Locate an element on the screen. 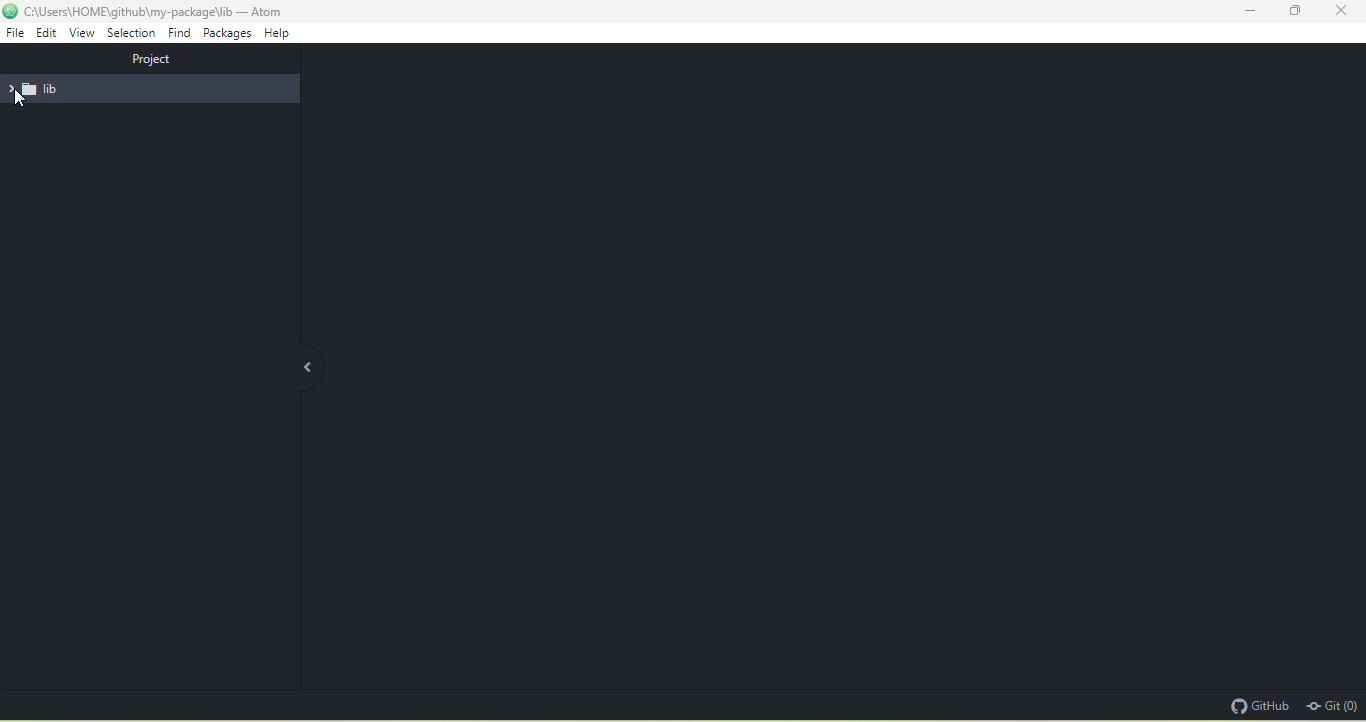 The image size is (1366, 722). edit is located at coordinates (49, 33).